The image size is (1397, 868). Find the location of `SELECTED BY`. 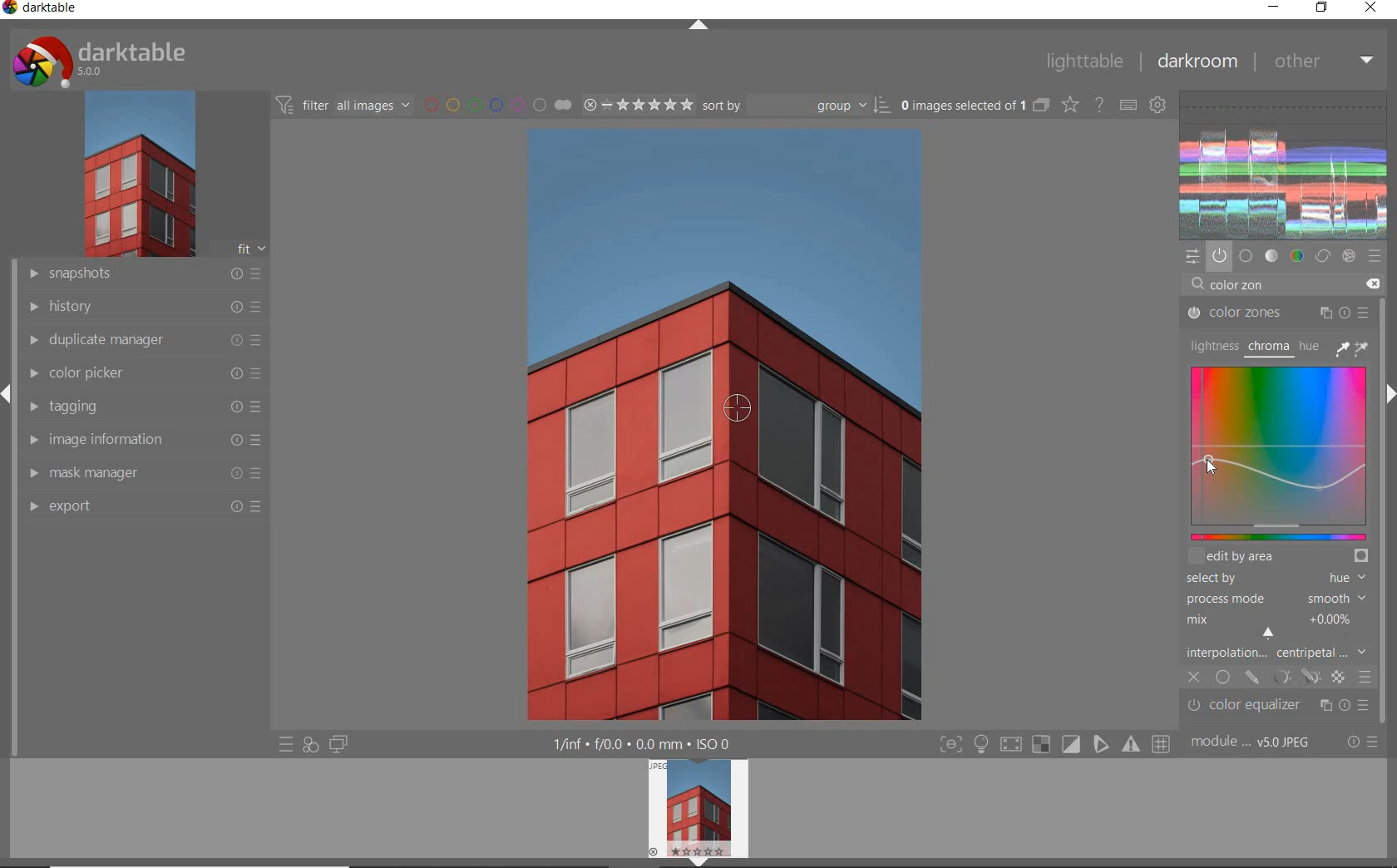

SELECTED BY is located at coordinates (1271, 579).